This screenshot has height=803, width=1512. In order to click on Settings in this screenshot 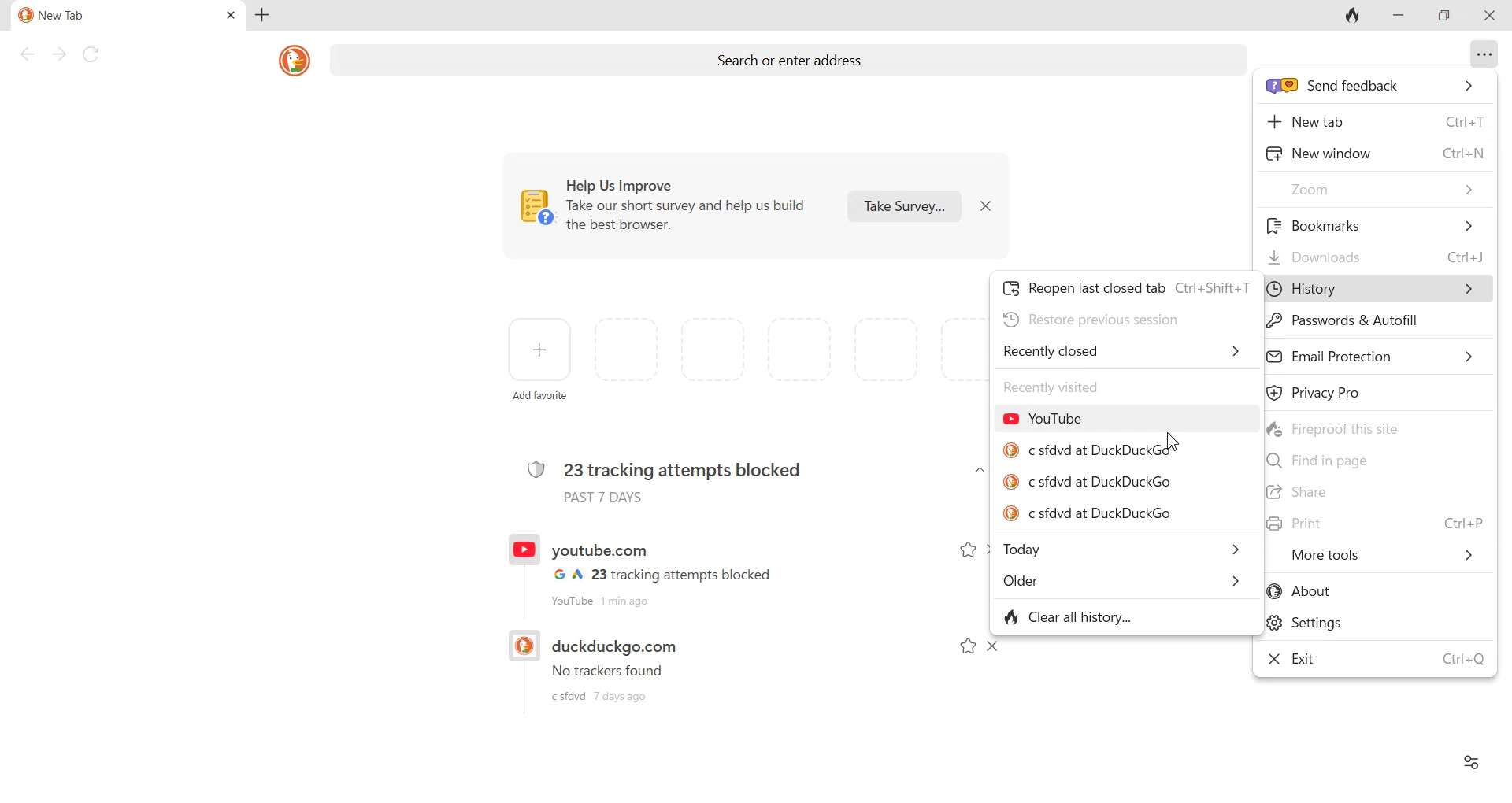, I will do `click(1376, 623)`.